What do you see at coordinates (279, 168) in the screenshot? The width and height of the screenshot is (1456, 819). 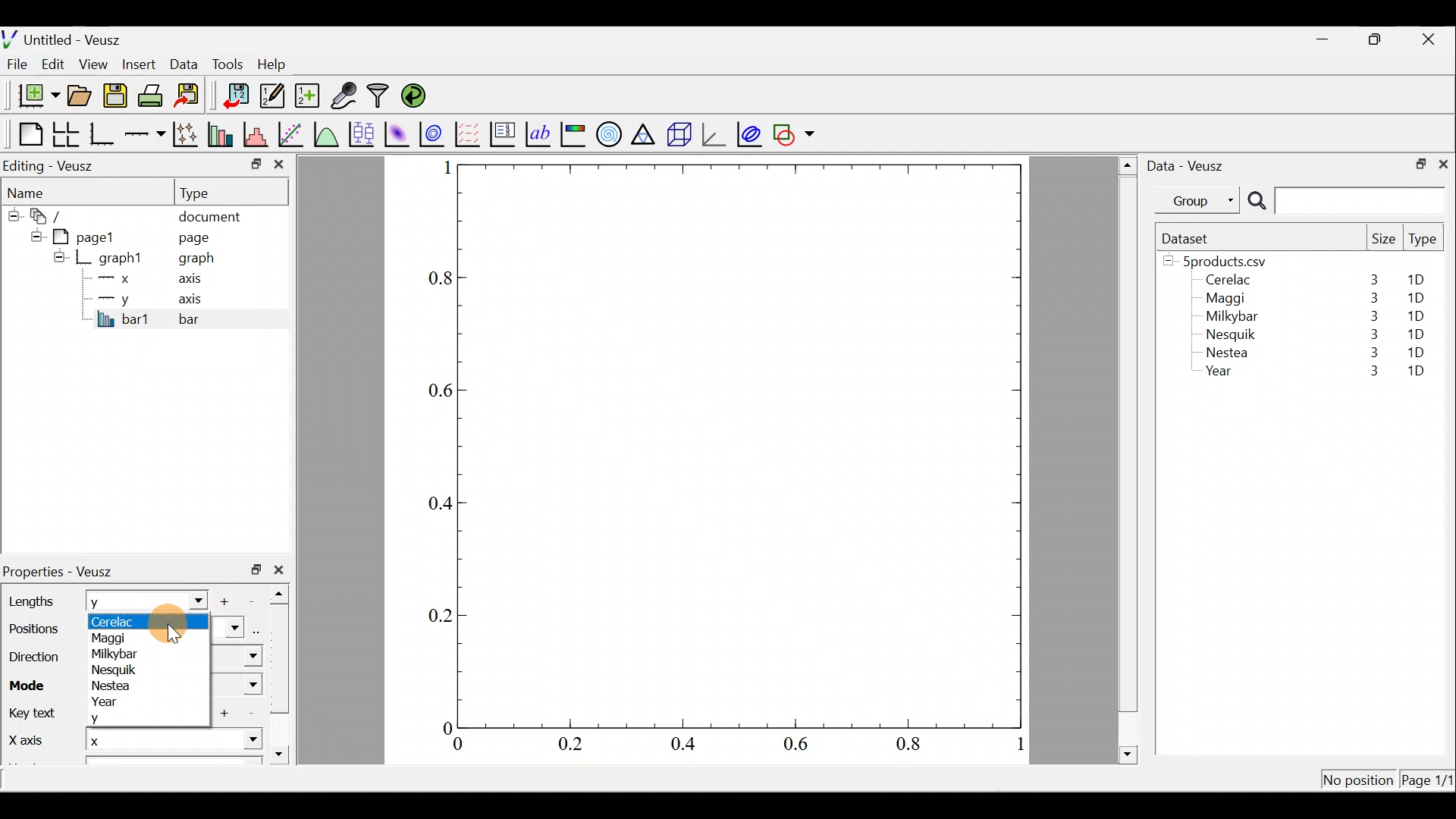 I see `close` at bounding box center [279, 168].